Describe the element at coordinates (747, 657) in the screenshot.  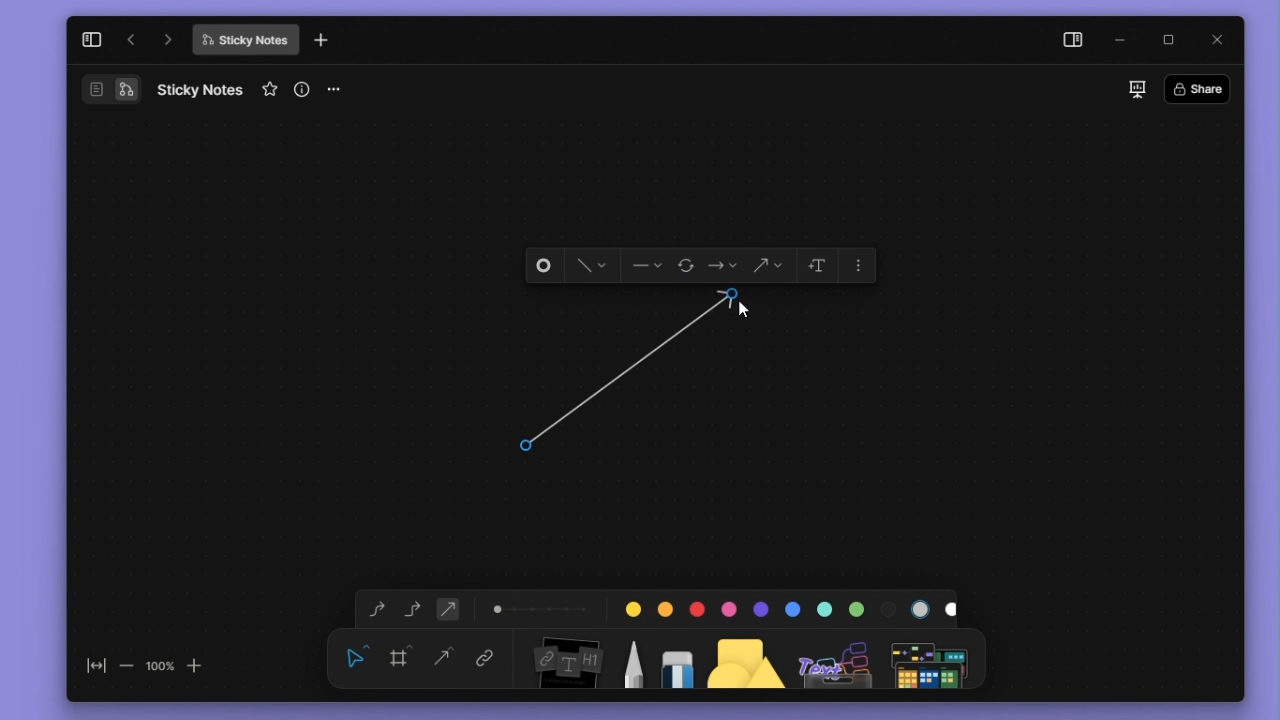
I see `shape` at that location.